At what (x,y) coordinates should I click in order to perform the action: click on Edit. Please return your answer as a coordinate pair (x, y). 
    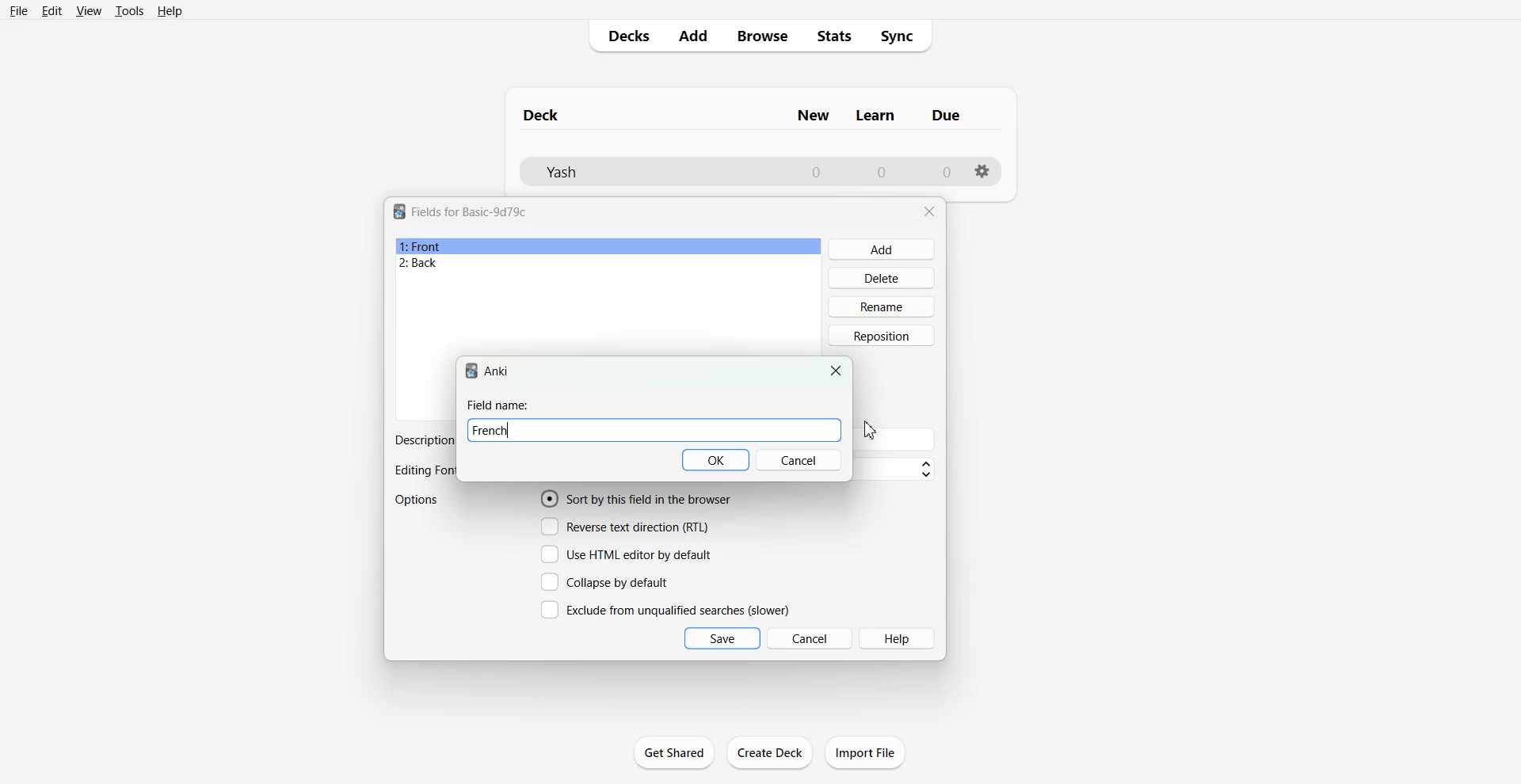
    Looking at the image, I should click on (51, 11).